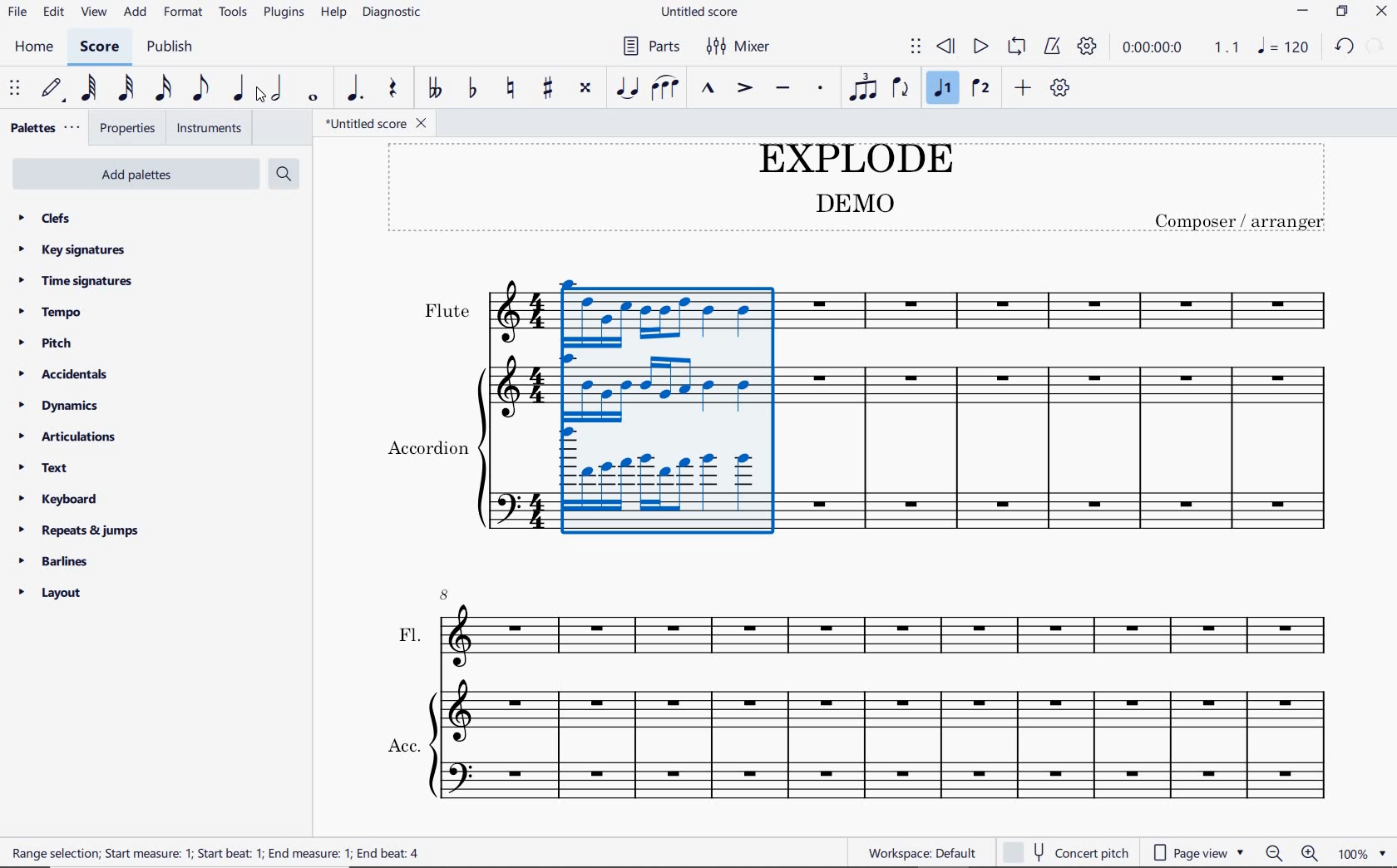 The width and height of the screenshot is (1397, 868). I want to click on playback settings, so click(1088, 46).